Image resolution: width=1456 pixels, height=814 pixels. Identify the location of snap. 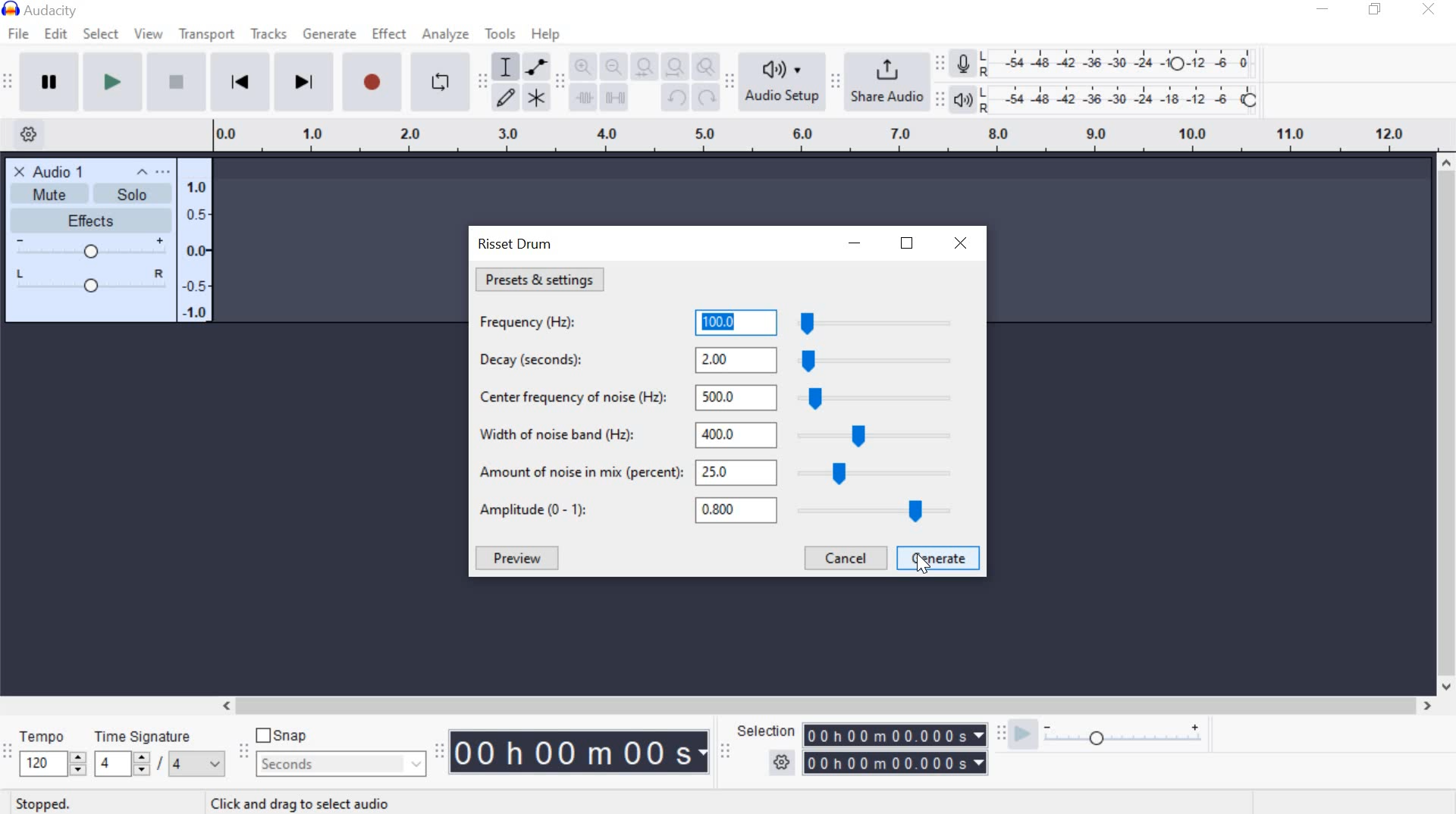
(281, 734).